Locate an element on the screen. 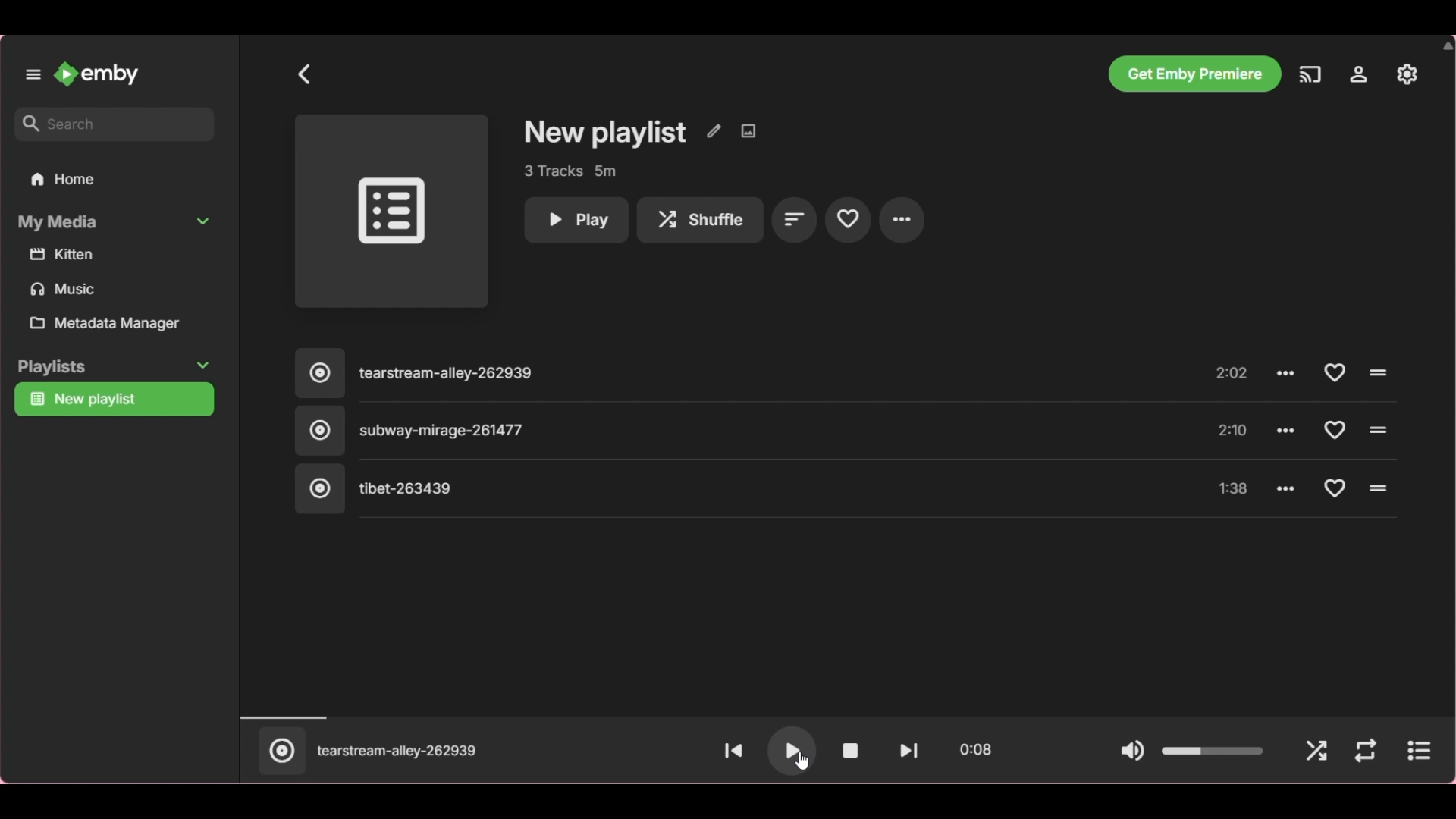 This screenshot has height=819, width=1456. Go to home is located at coordinates (96, 74).